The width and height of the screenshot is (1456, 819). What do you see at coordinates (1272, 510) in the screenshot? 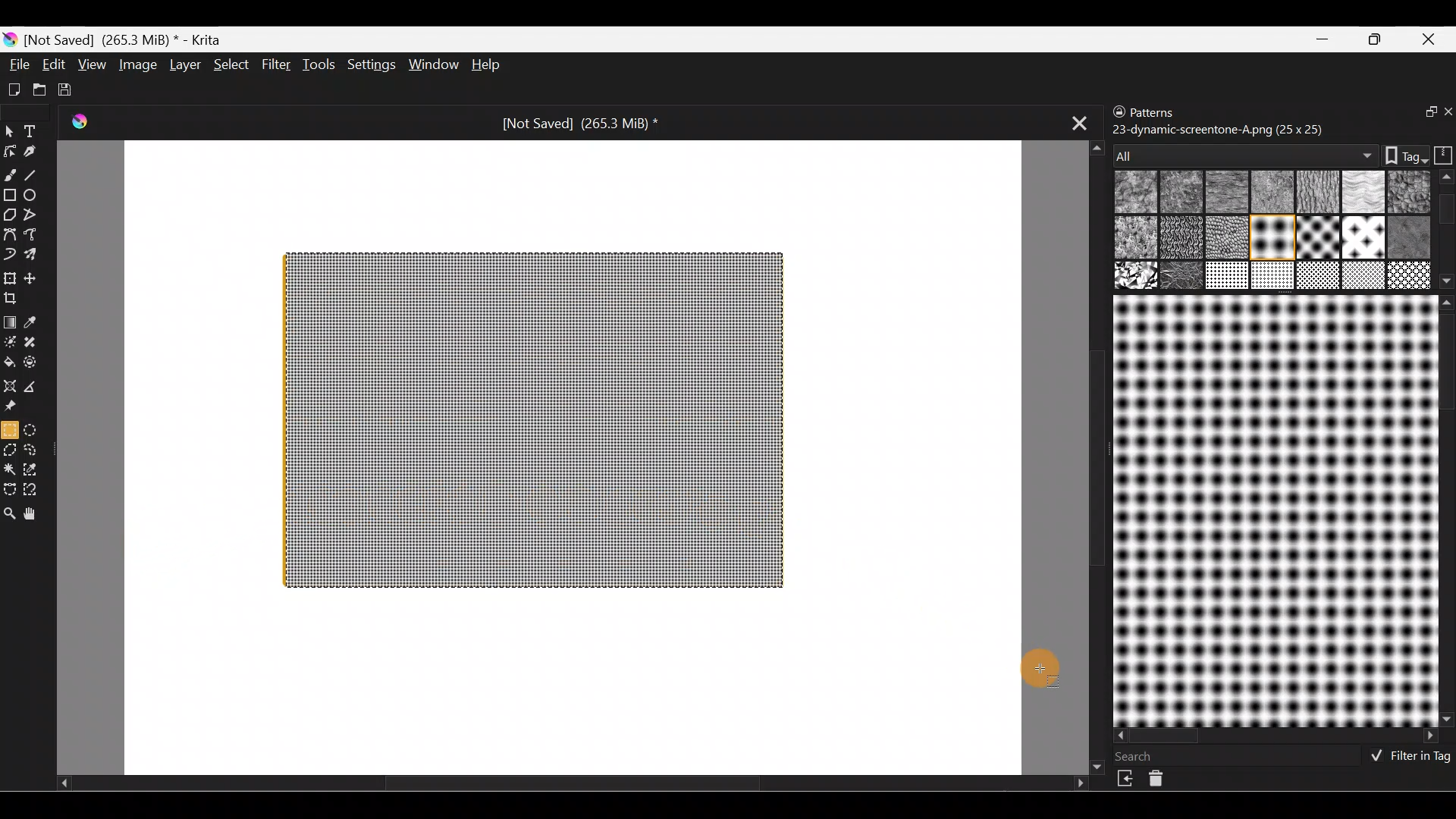
I see `Preview` at bounding box center [1272, 510].